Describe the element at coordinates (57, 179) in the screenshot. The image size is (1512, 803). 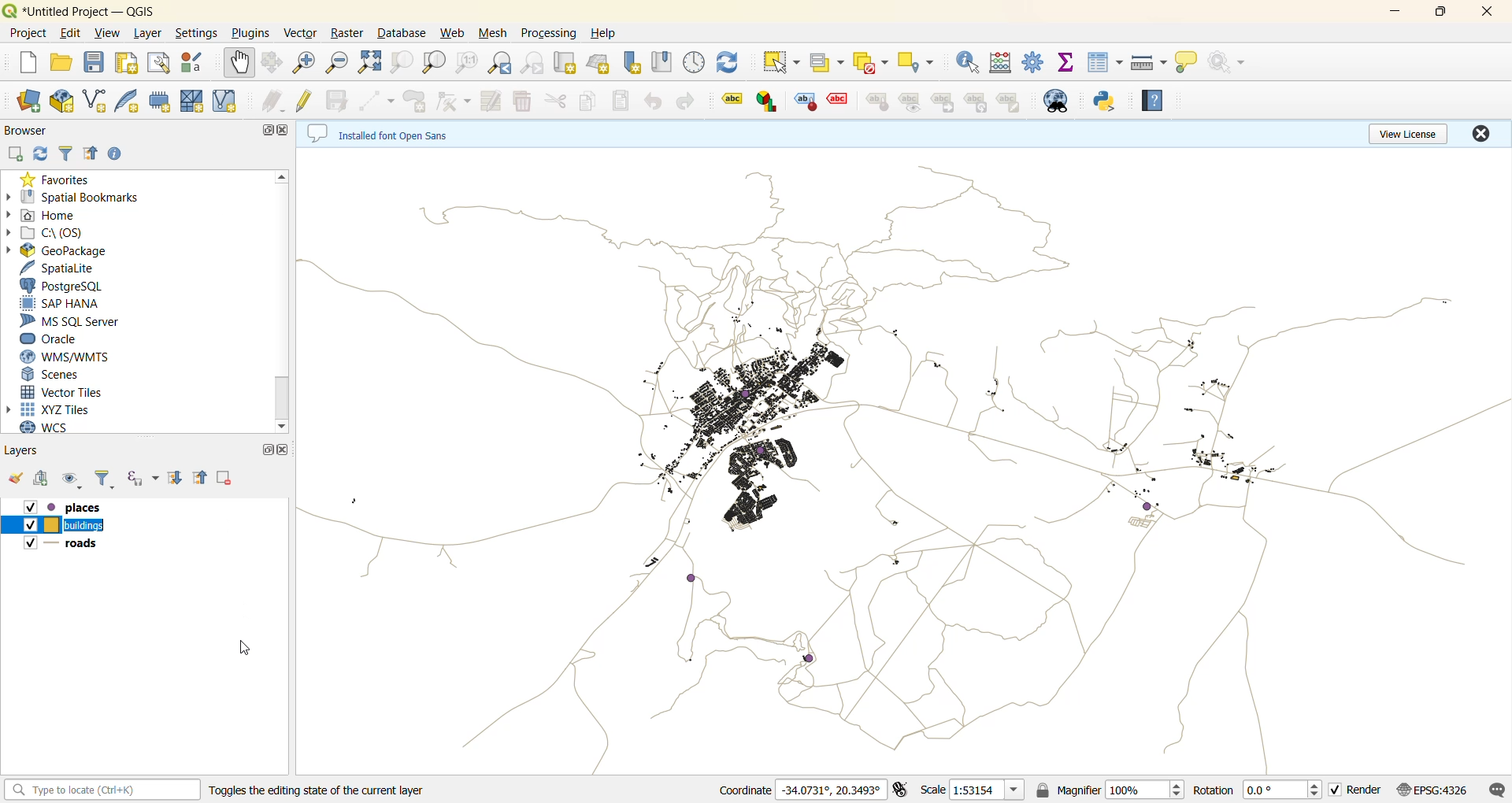
I see `favorites` at that location.